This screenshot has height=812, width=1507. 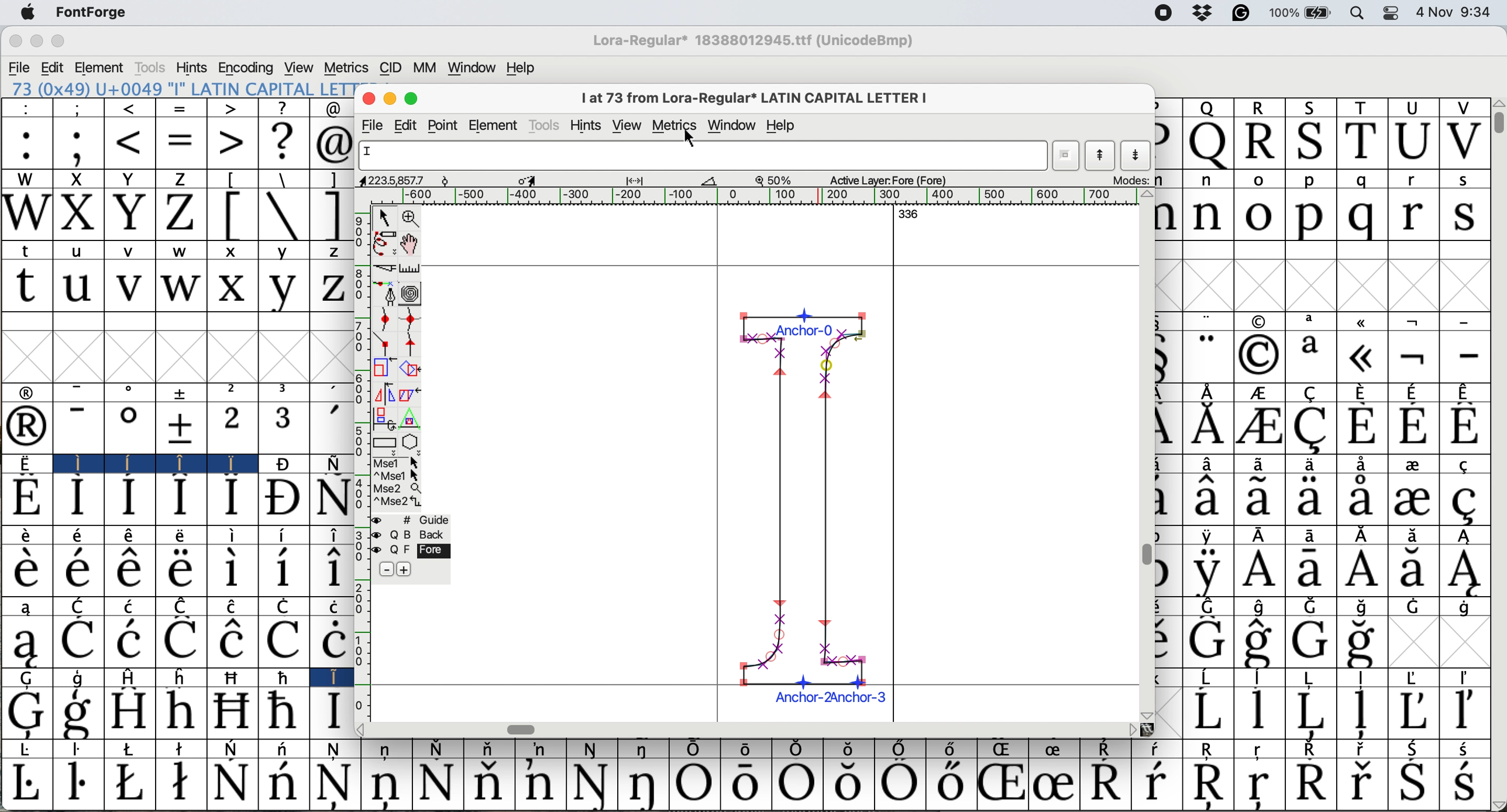 What do you see at coordinates (1360, 356) in the screenshot?
I see `Symbol` at bounding box center [1360, 356].